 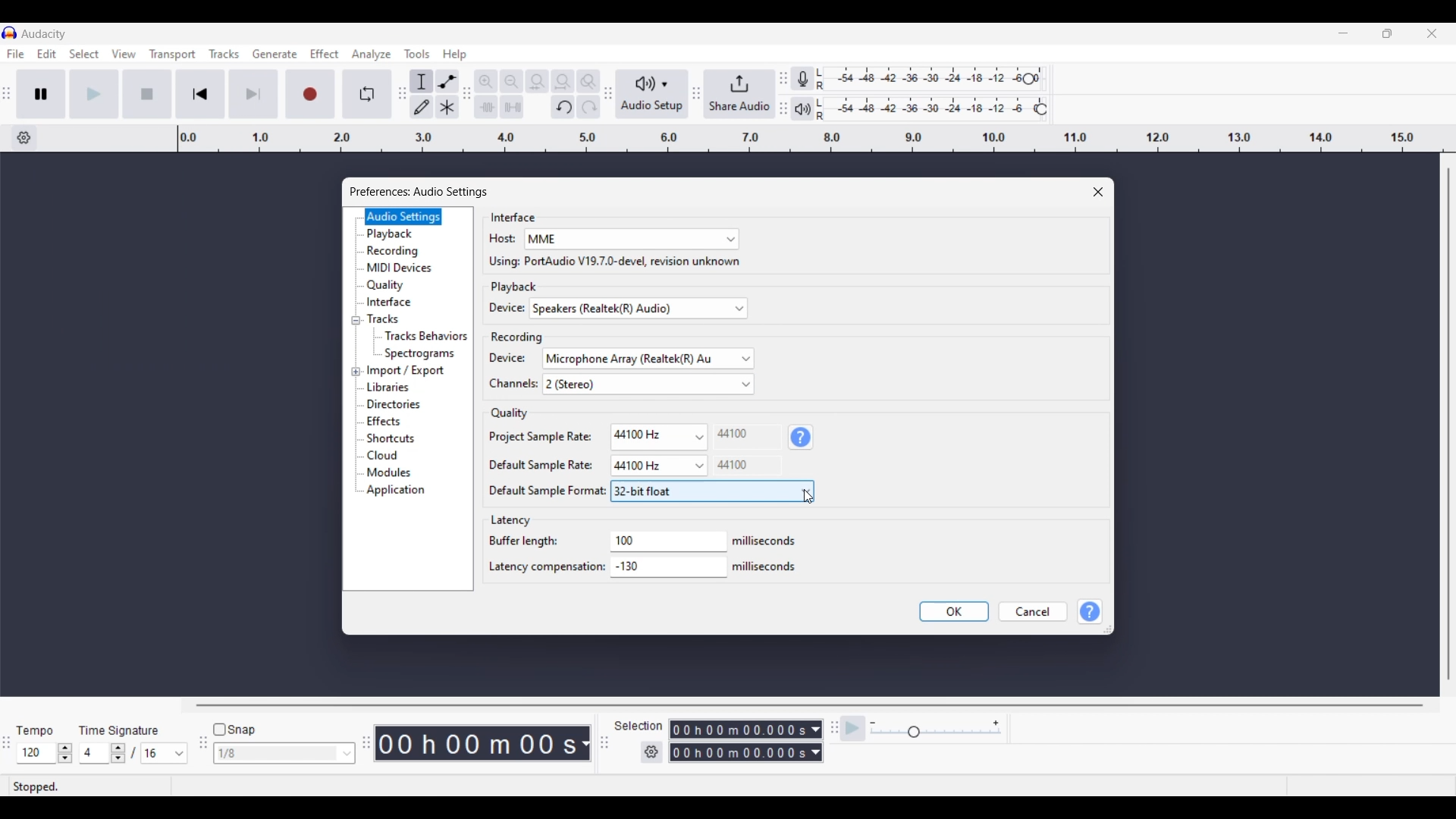 I want to click on Increase playback speed to maximum , so click(x=996, y=723).